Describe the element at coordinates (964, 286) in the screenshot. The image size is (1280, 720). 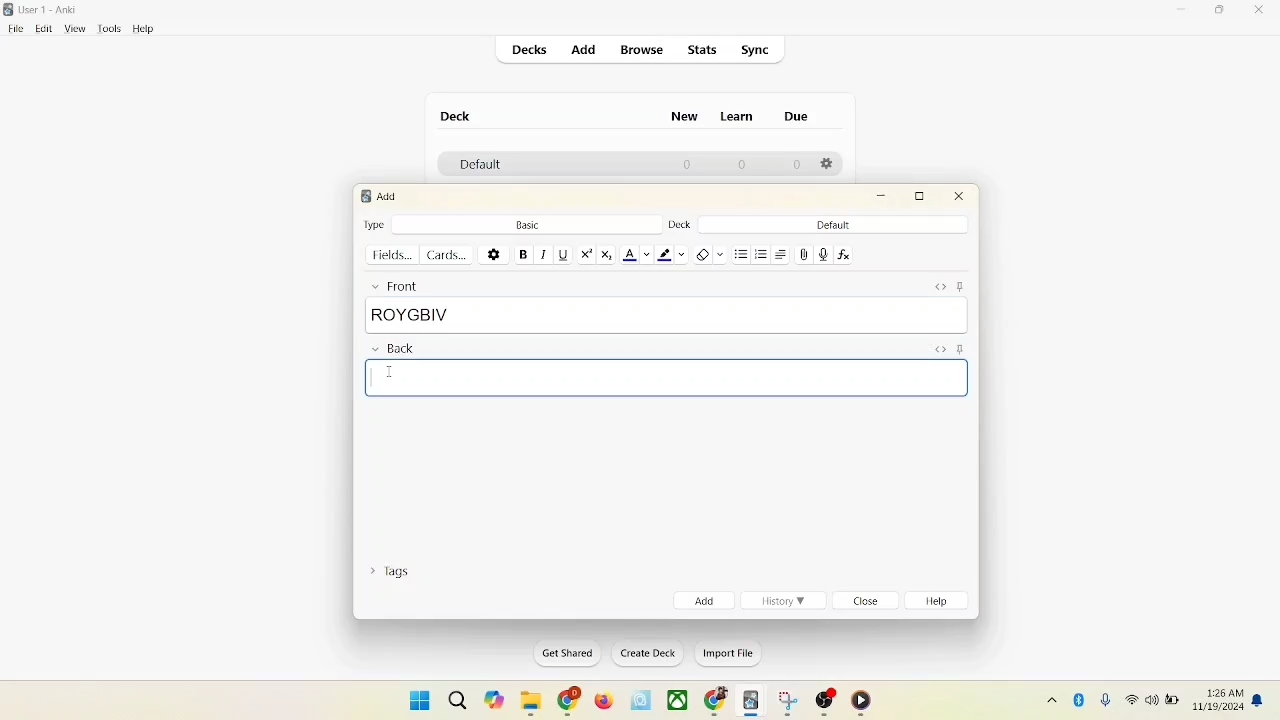
I see `sticky` at that location.